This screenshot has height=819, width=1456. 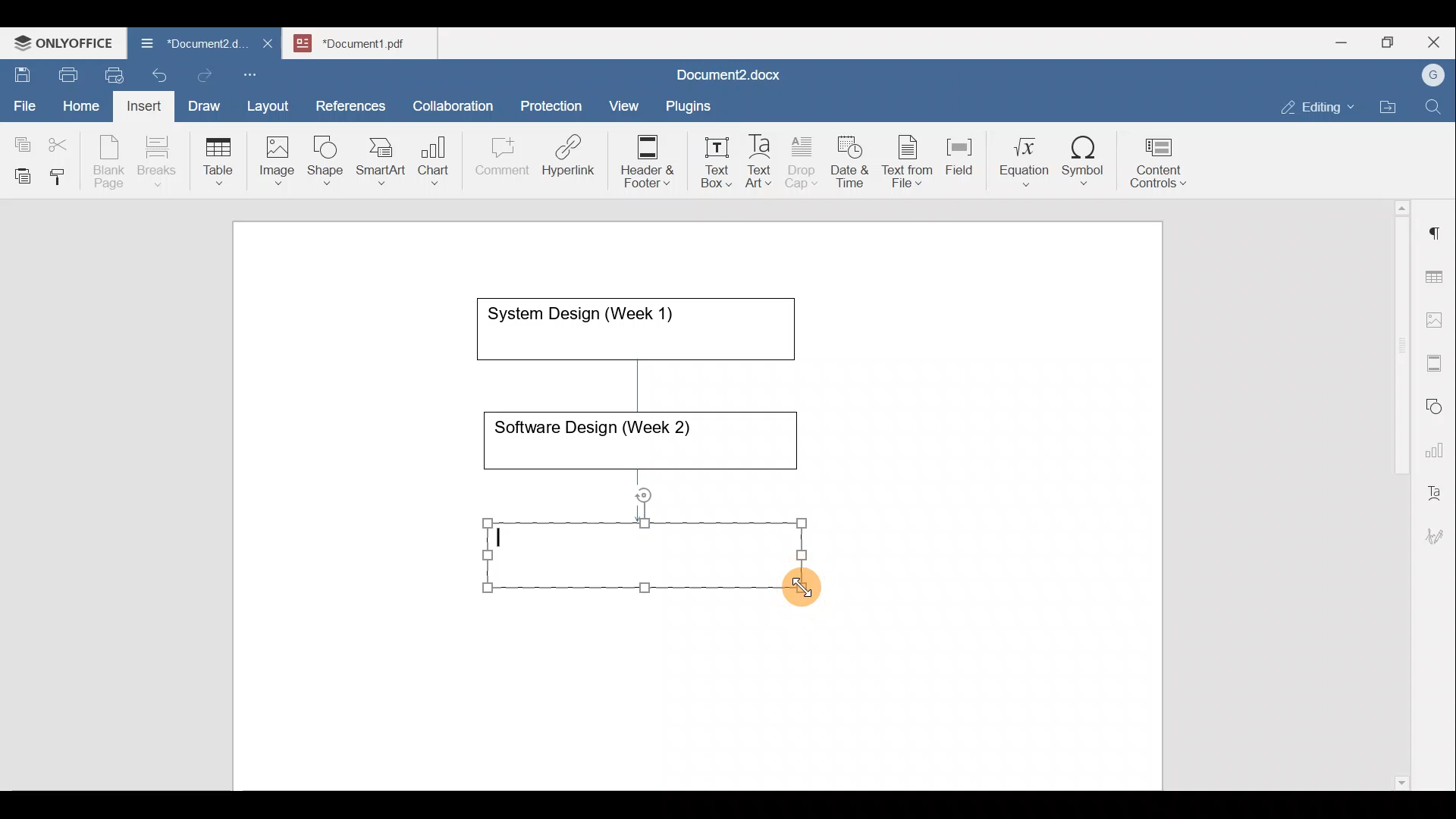 What do you see at coordinates (64, 141) in the screenshot?
I see `Cut` at bounding box center [64, 141].